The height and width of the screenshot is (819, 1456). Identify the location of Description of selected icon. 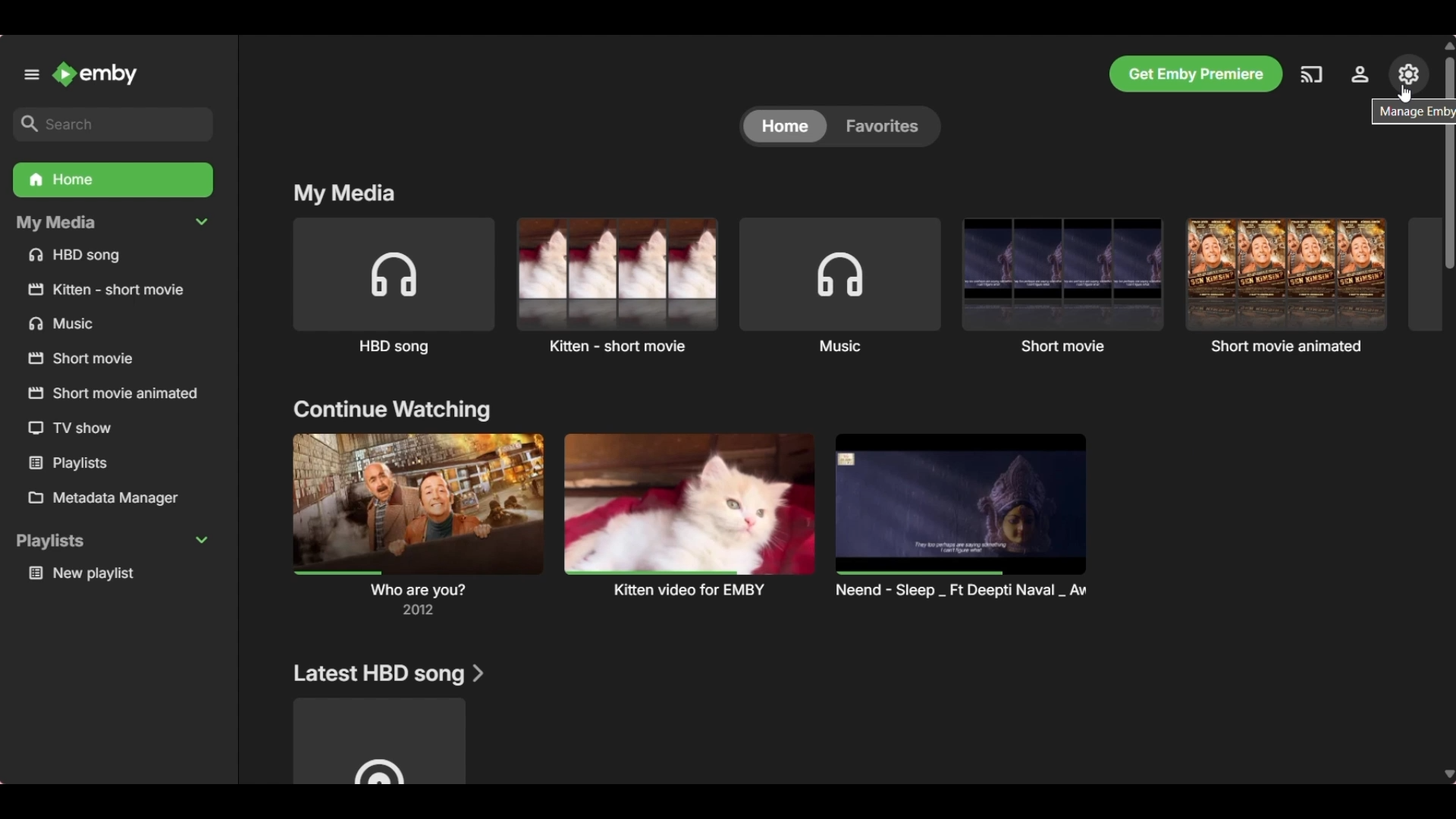
(1408, 112).